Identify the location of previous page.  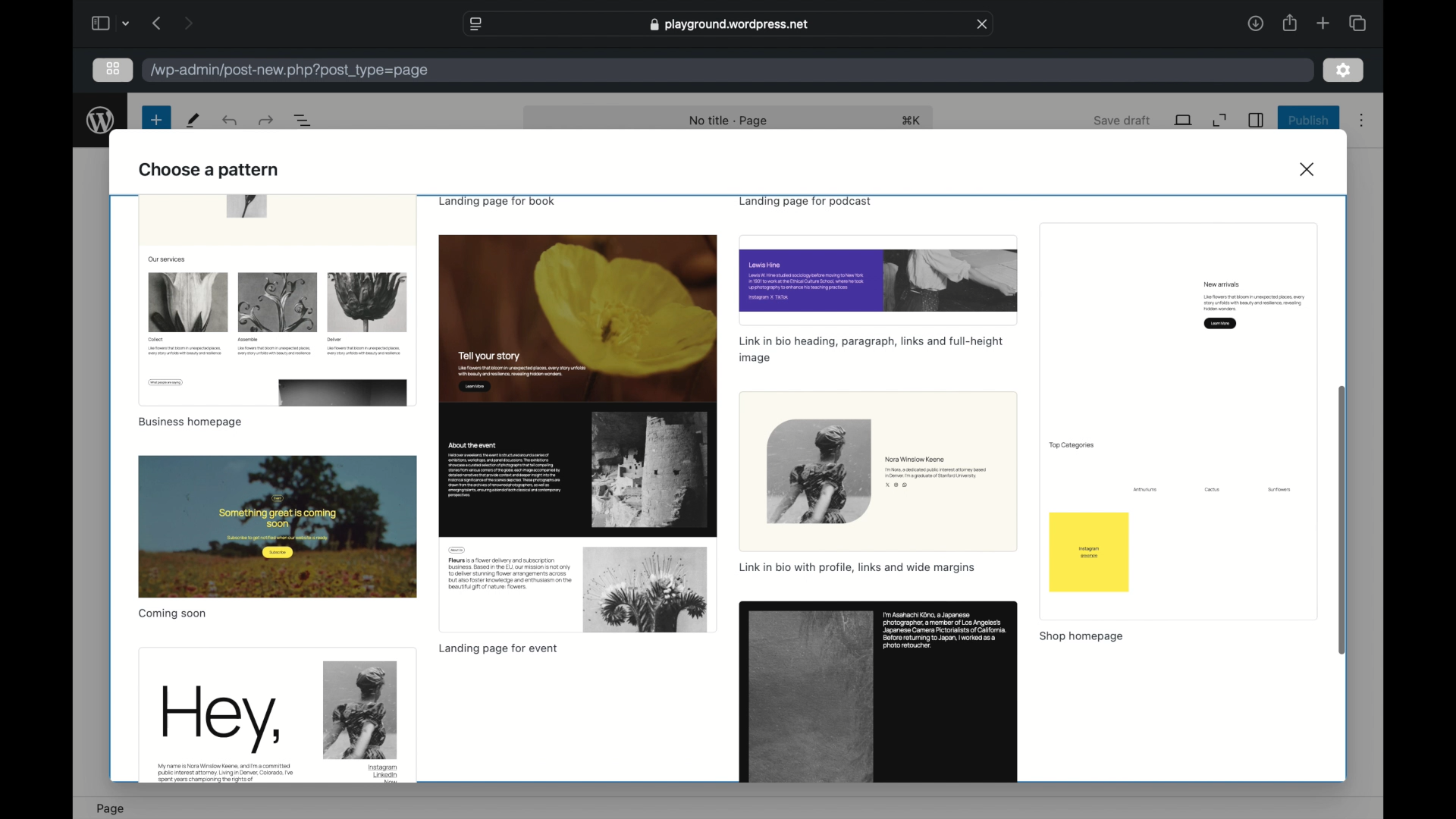
(156, 22).